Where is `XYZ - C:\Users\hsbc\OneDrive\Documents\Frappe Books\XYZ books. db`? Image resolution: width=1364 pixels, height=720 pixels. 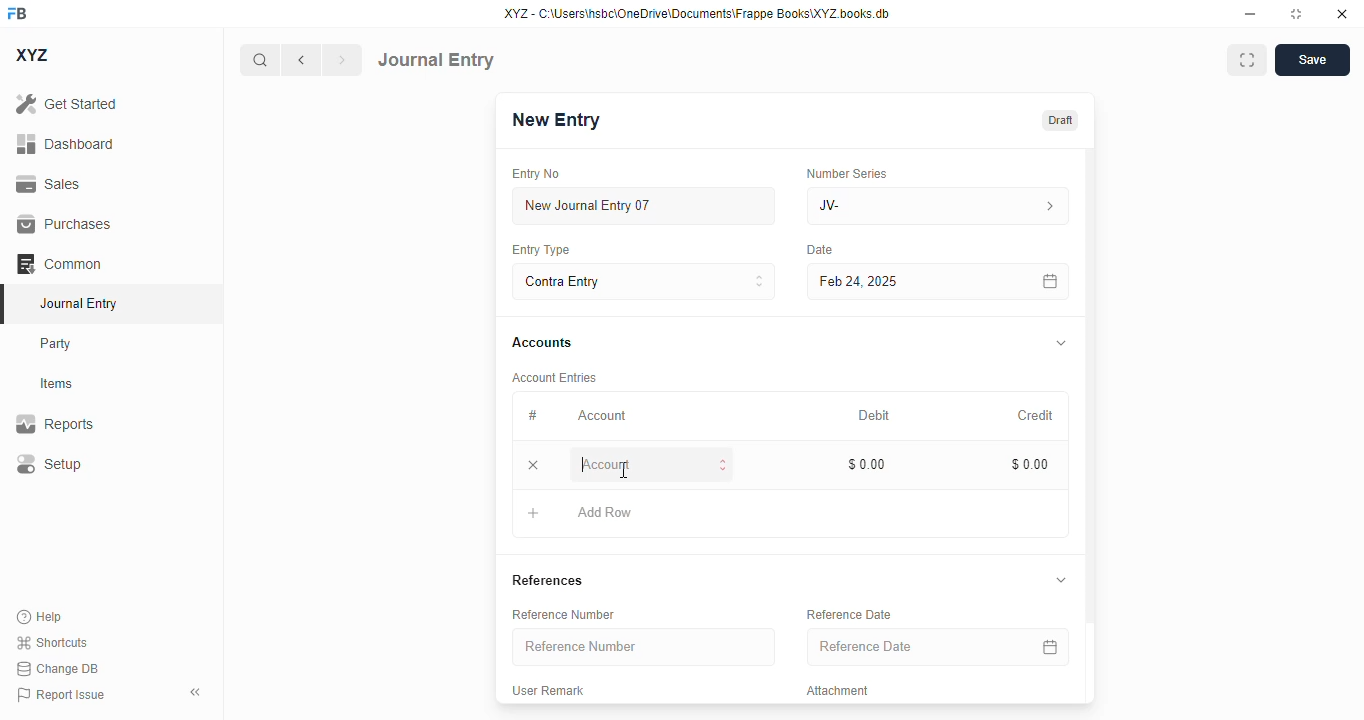
XYZ - C:\Users\hsbc\OneDrive\Documents\Frappe Books\XYZ books. db is located at coordinates (697, 14).